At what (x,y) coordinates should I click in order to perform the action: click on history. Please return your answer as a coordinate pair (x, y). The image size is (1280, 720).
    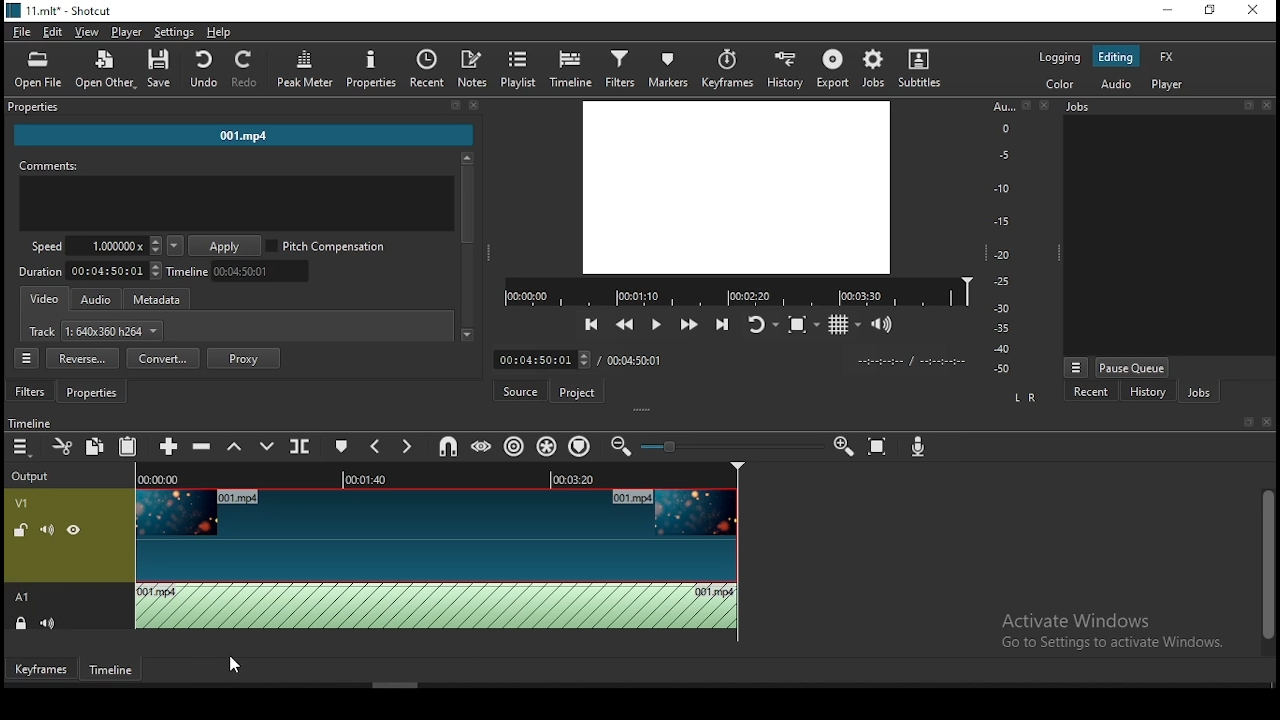
    Looking at the image, I should click on (1147, 392).